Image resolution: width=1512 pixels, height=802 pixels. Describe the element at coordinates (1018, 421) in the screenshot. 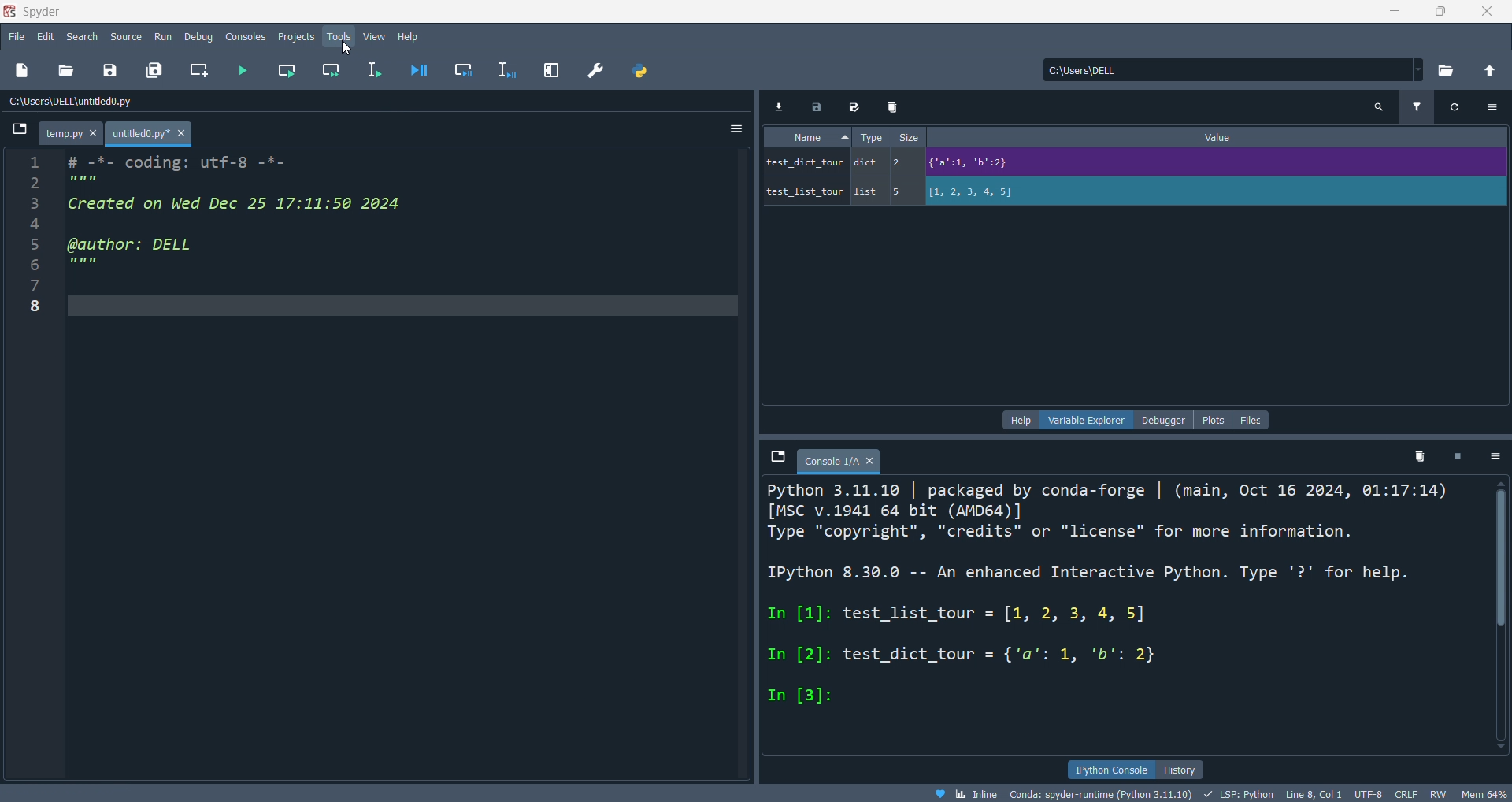

I see `help ` at that location.